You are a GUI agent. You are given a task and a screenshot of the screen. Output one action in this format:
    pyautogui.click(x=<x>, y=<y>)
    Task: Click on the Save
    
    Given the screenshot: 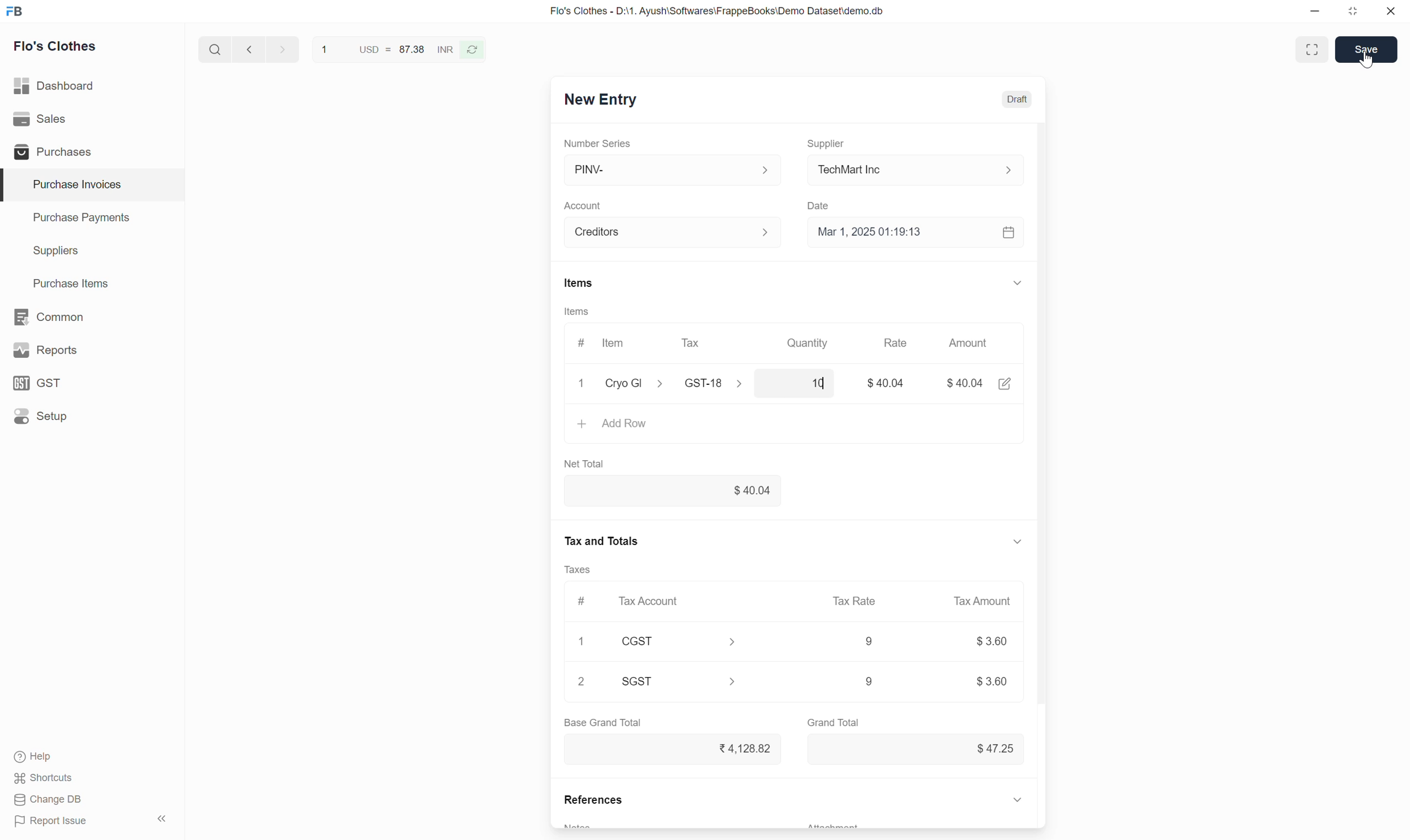 What is the action you would take?
    pyautogui.click(x=1365, y=49)
    